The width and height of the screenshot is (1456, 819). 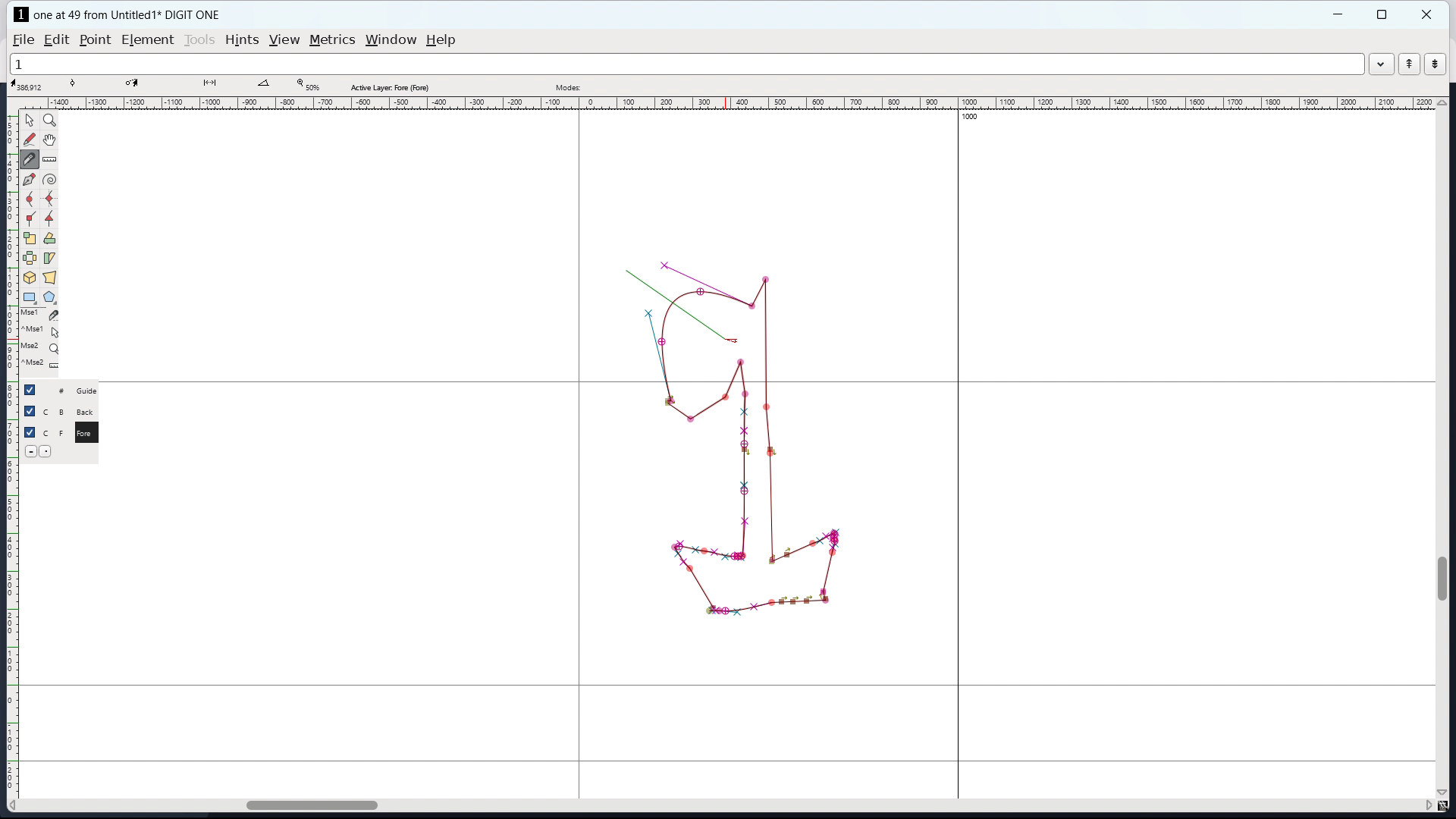 I want to click on active layer: Fore (Fore), so click(x=680, y=85).